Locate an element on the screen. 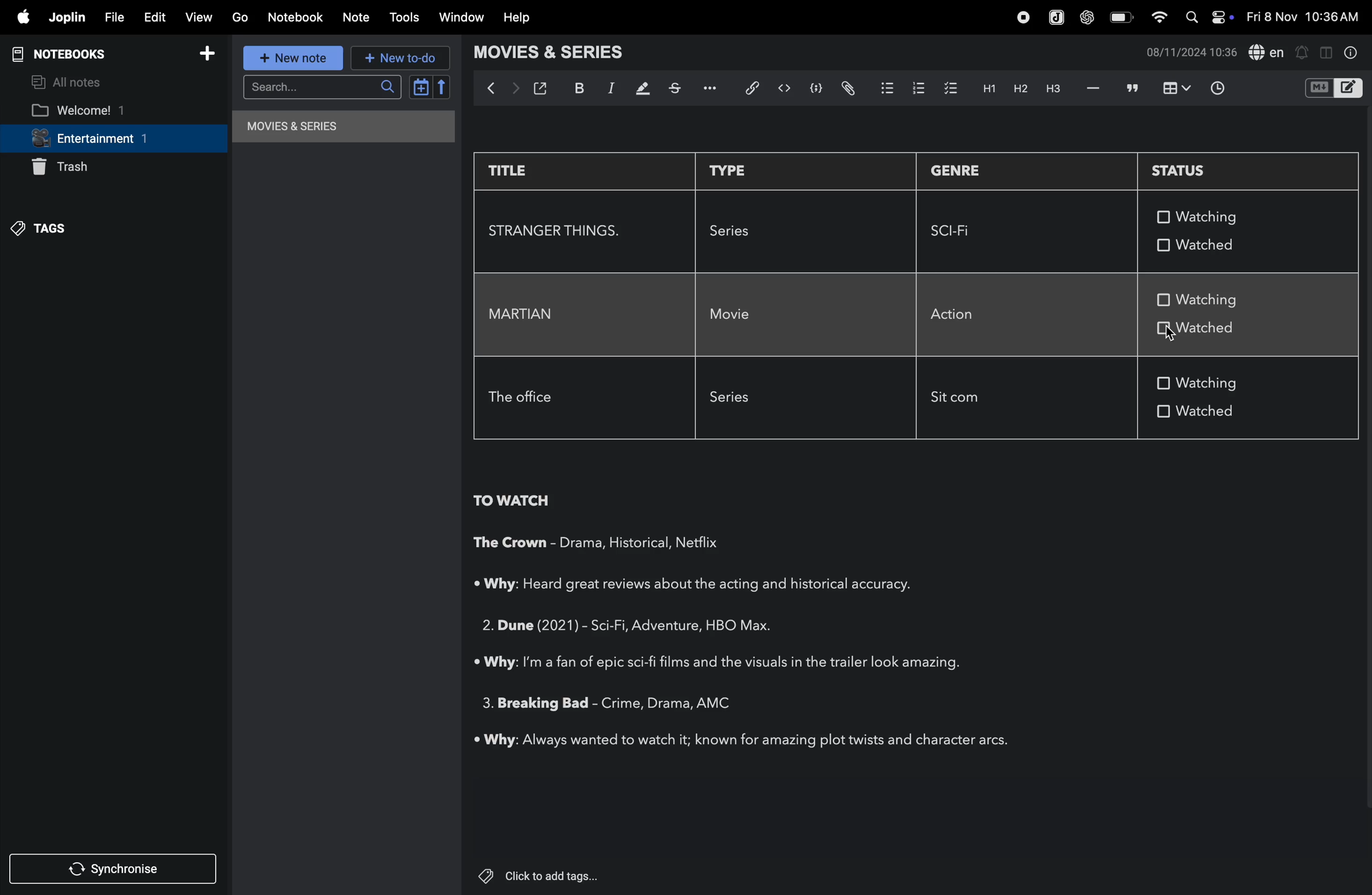 The image size is (1372, 895). welcome  is located at coordinates (100, 110).